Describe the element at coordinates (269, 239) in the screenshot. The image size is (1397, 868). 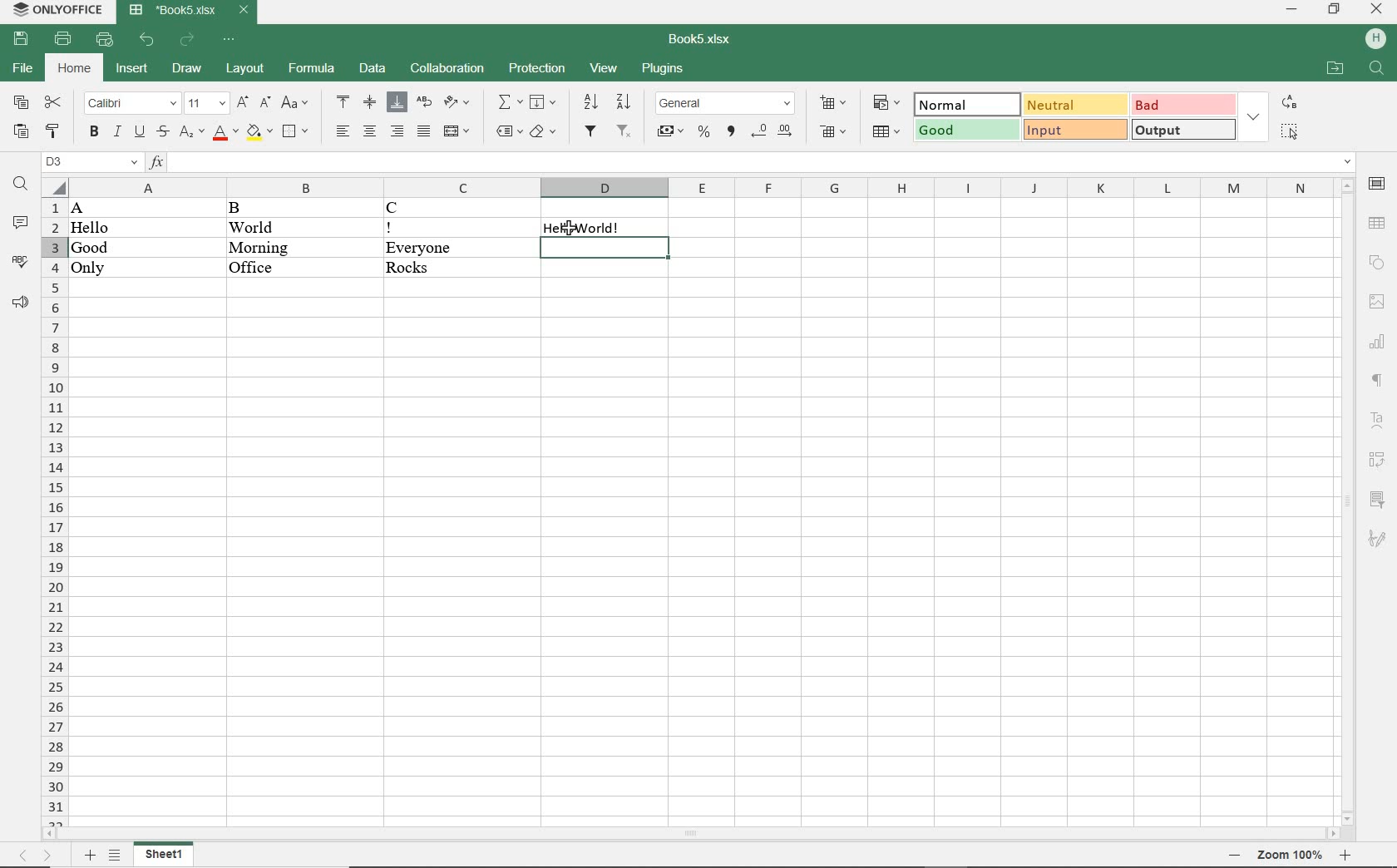
I see `DATA` at that location.